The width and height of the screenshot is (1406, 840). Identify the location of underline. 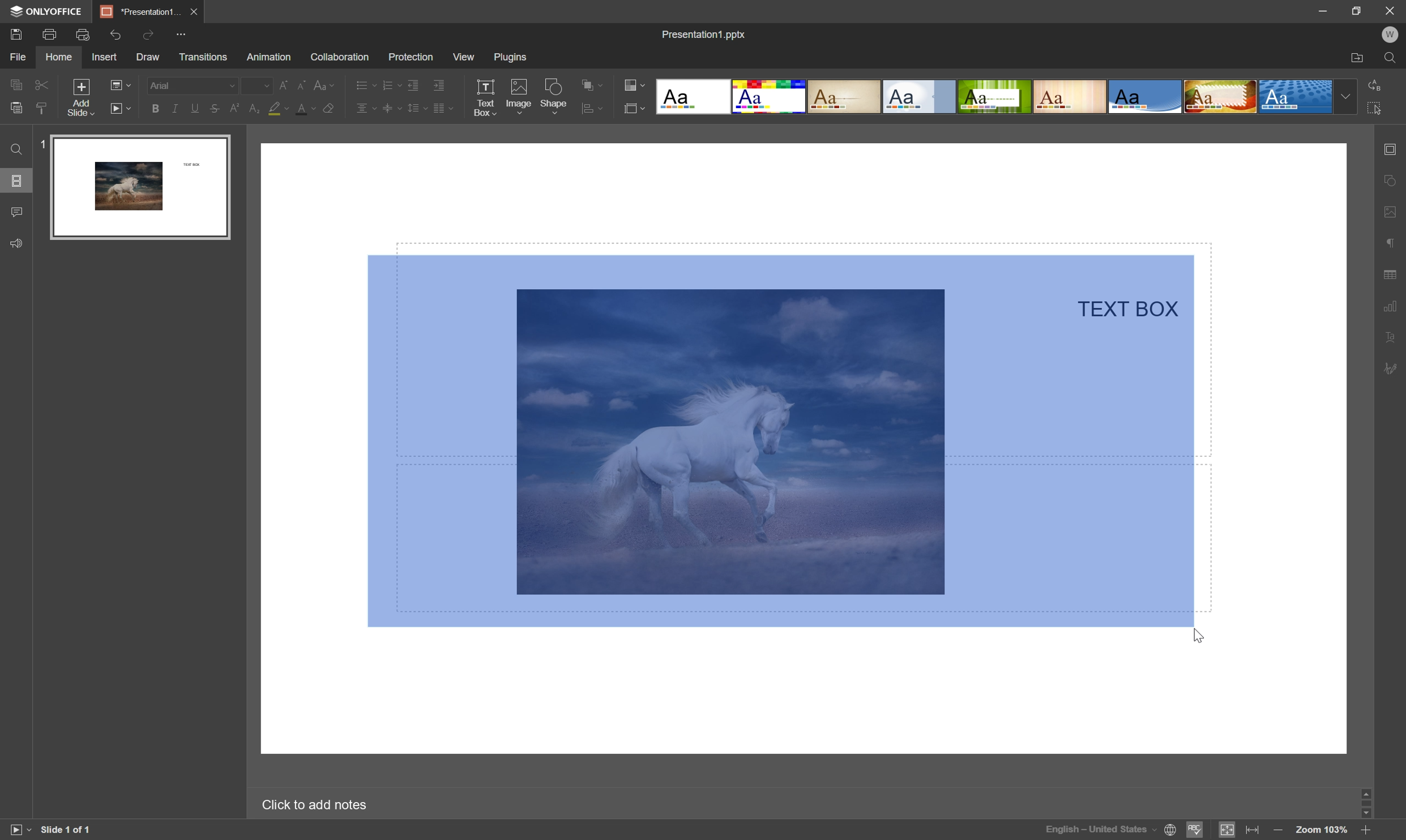
(194, 110).